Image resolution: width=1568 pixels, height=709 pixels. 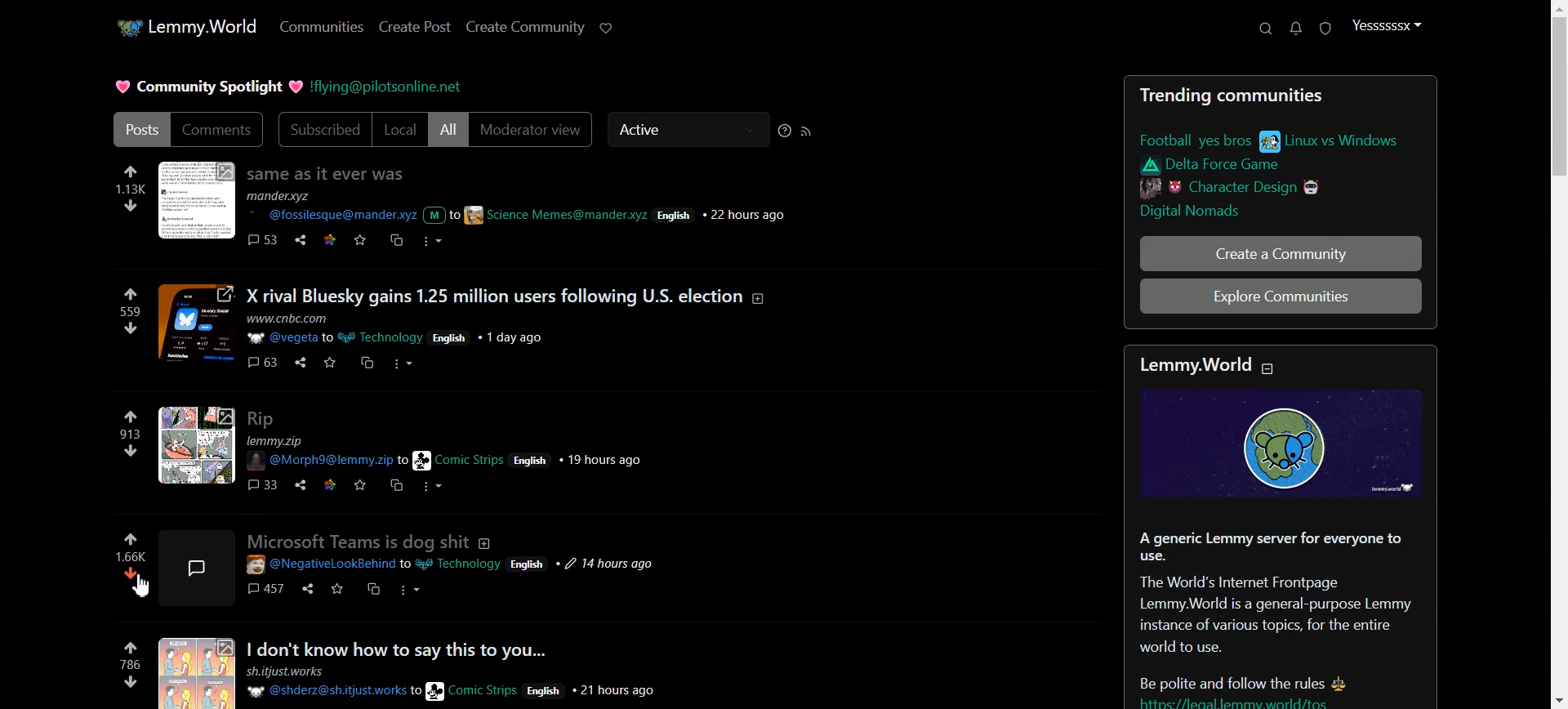 I want to click on comments, so click(x=264, y=484).